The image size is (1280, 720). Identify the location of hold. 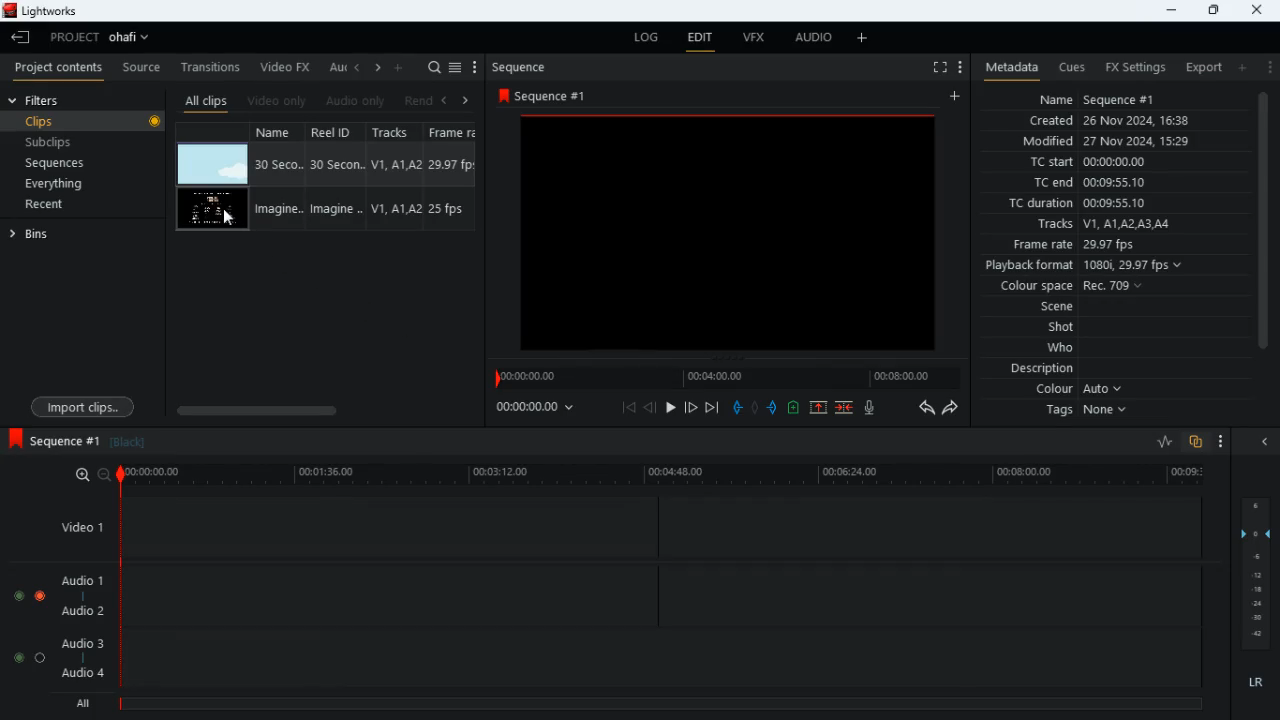
(755, 408).